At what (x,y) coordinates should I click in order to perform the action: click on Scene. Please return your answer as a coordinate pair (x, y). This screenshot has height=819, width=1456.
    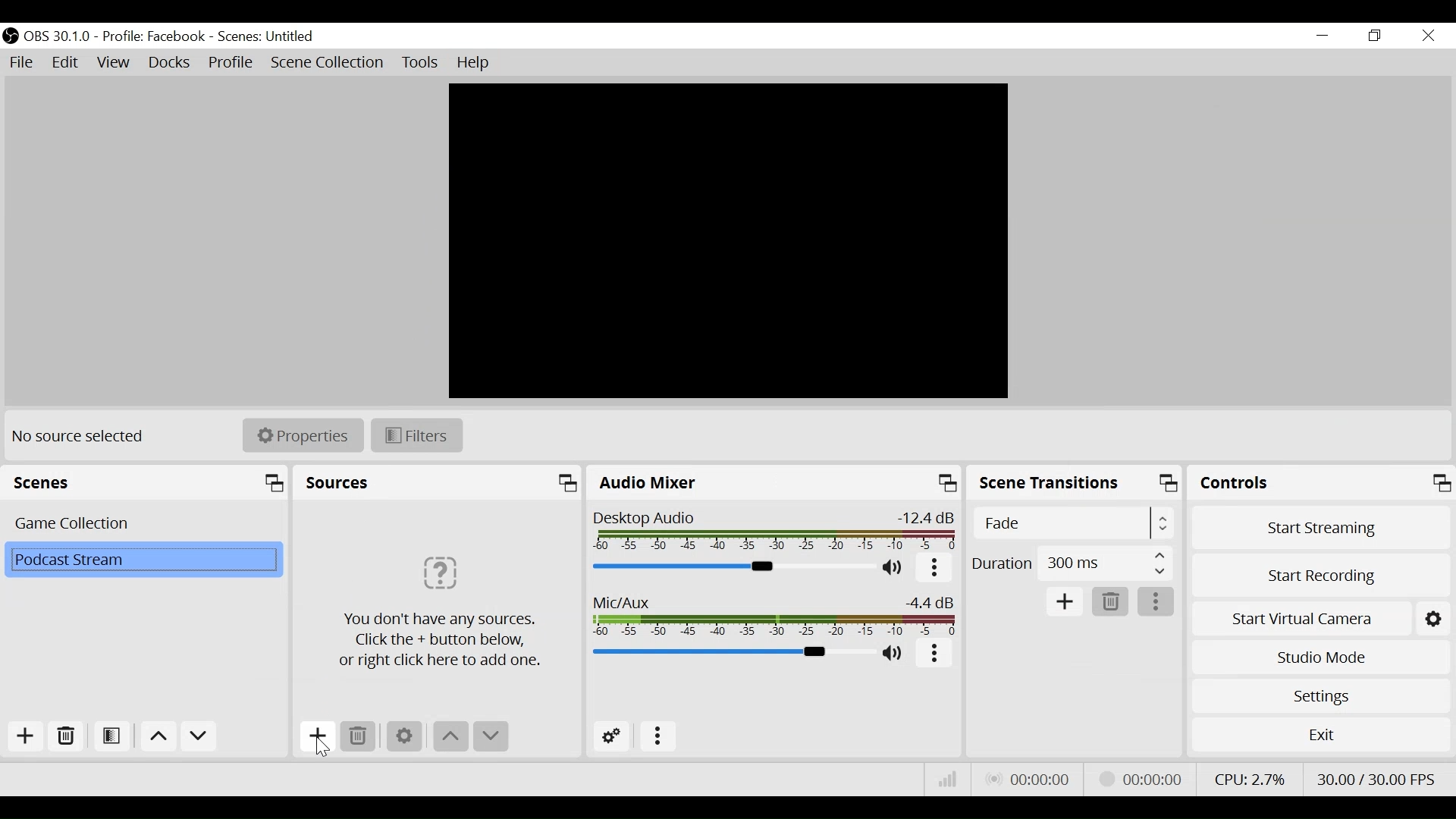
    Looking at the image, I should click on (143, 524).